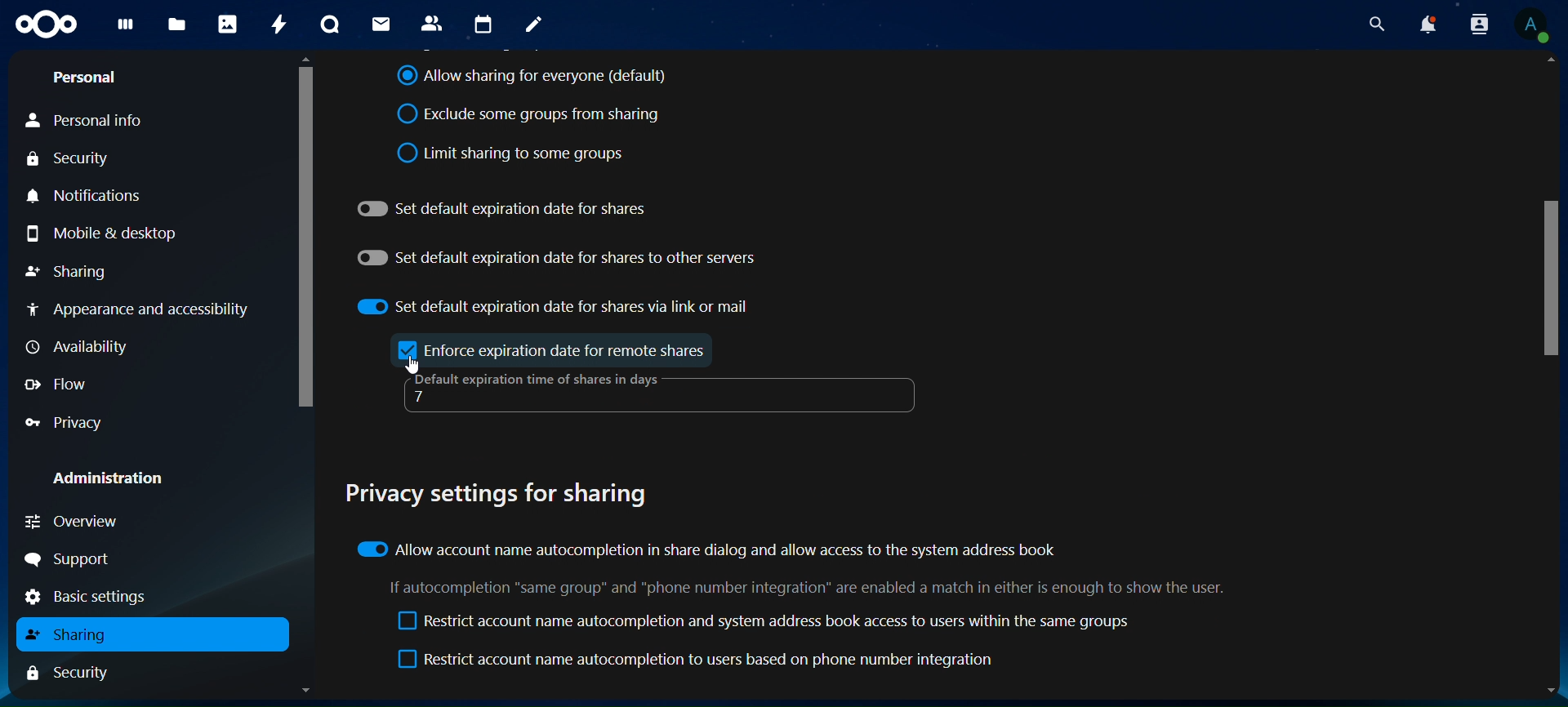 This screenshot has width=1568, height=707. What do you see at coordinates (569, 350) in the screenshot?
I see `enforce expiration date for remote shares` at bounding box center [569, 350].